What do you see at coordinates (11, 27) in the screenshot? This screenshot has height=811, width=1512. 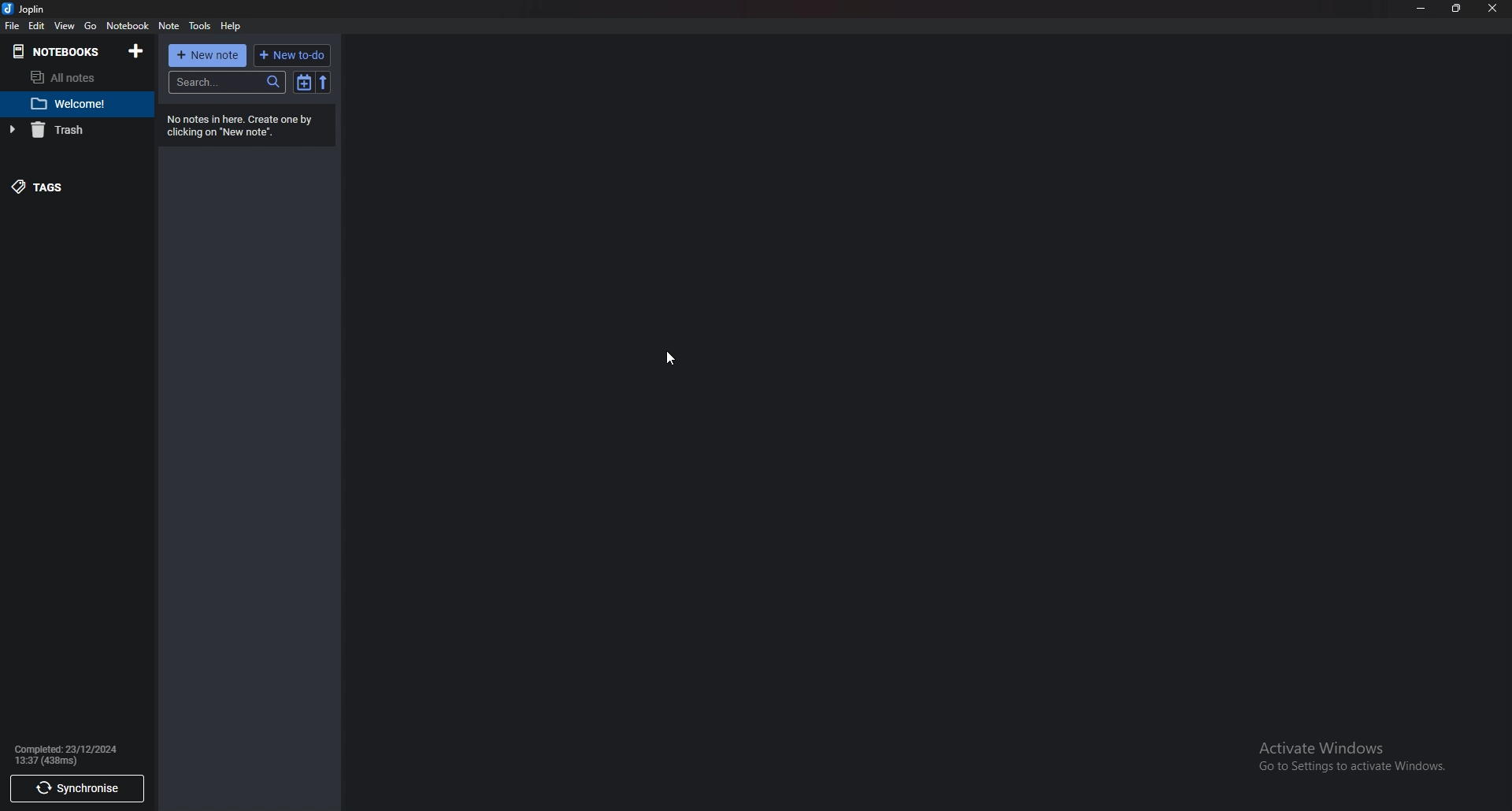 I see `file` at bounding box center [11, 27].